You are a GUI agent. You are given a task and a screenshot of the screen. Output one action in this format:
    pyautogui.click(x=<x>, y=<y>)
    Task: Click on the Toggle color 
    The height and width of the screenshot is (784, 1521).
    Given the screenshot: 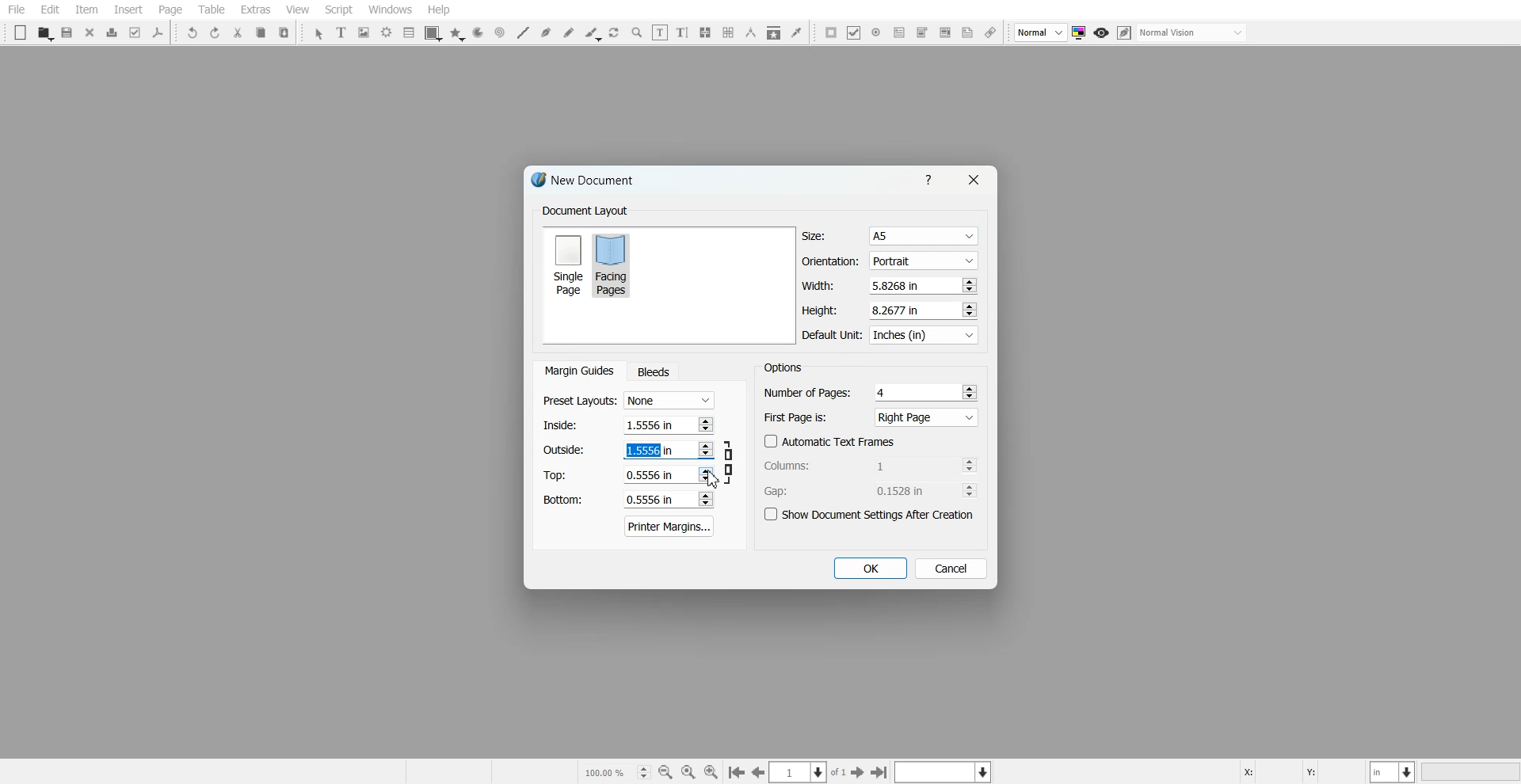 What is the action you would take?
    pyautogui.click(x=1081, y=33)
    